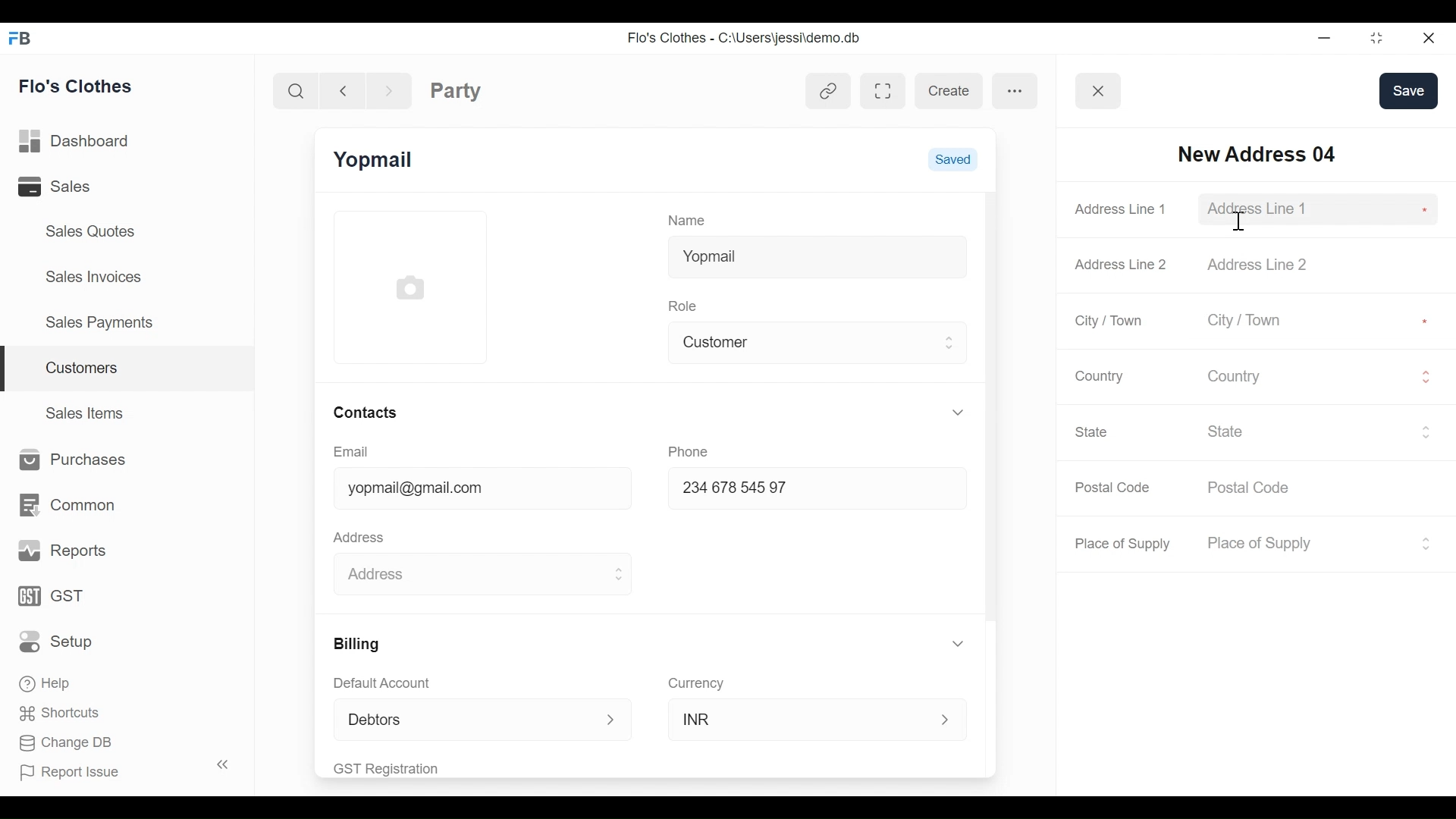 This screenshot has width=1456, height=819. Describe the element at coordinates (1122, 260) in the screenshot. I see `Address Line 2` at that location.